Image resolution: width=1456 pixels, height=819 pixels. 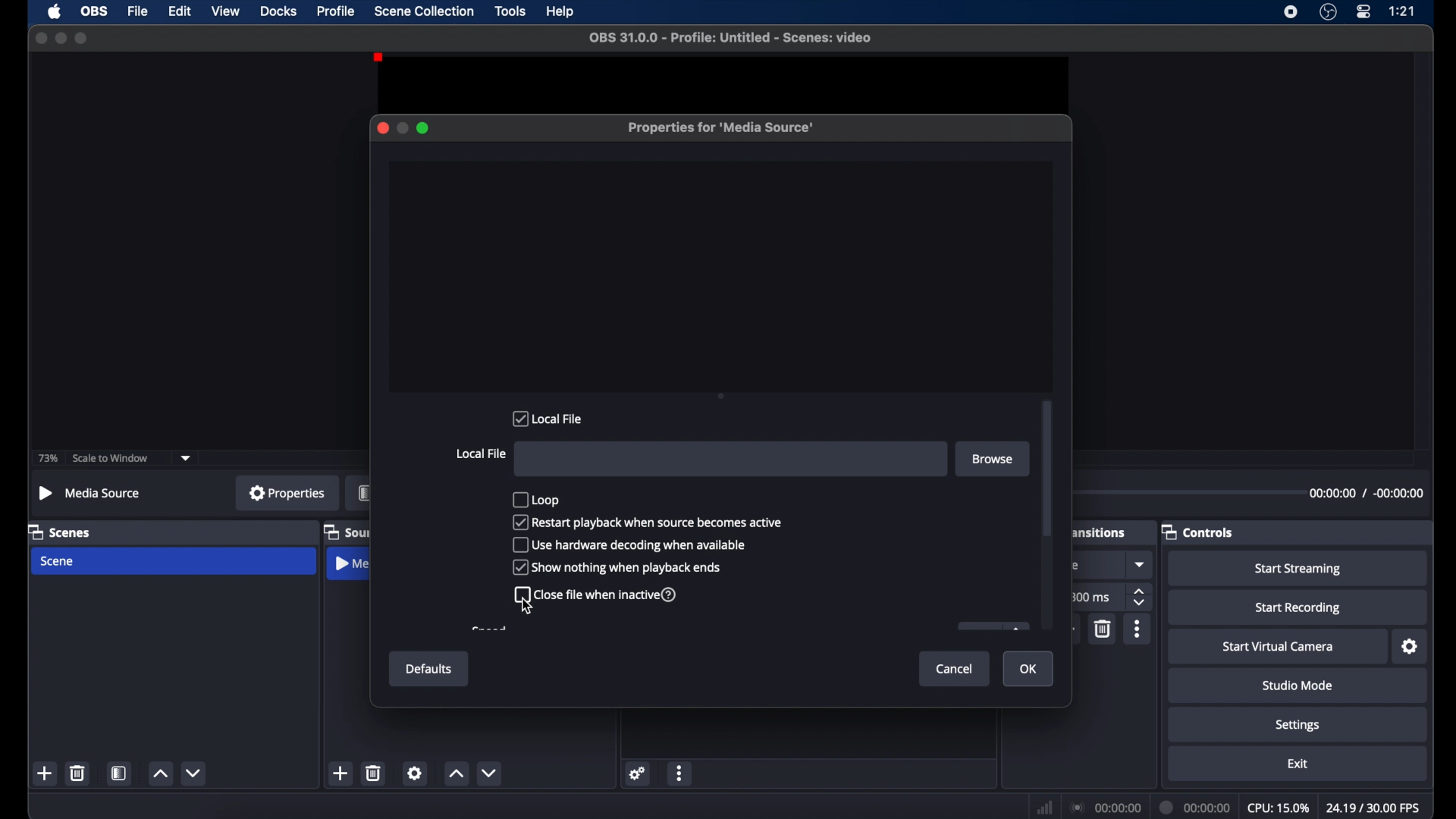 I want to click on add, so click(x=1071, y=627).